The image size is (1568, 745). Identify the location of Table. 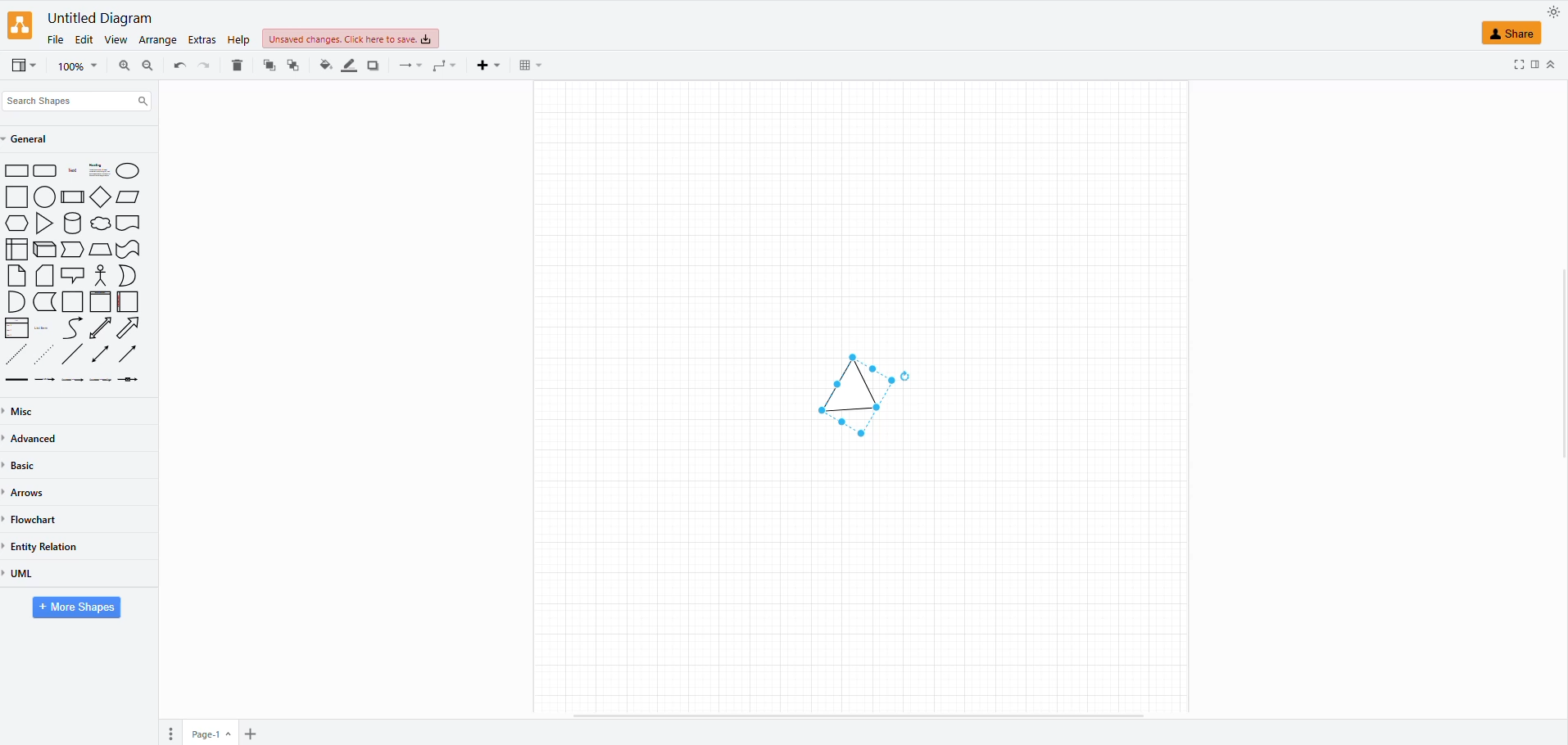
(16, 249).